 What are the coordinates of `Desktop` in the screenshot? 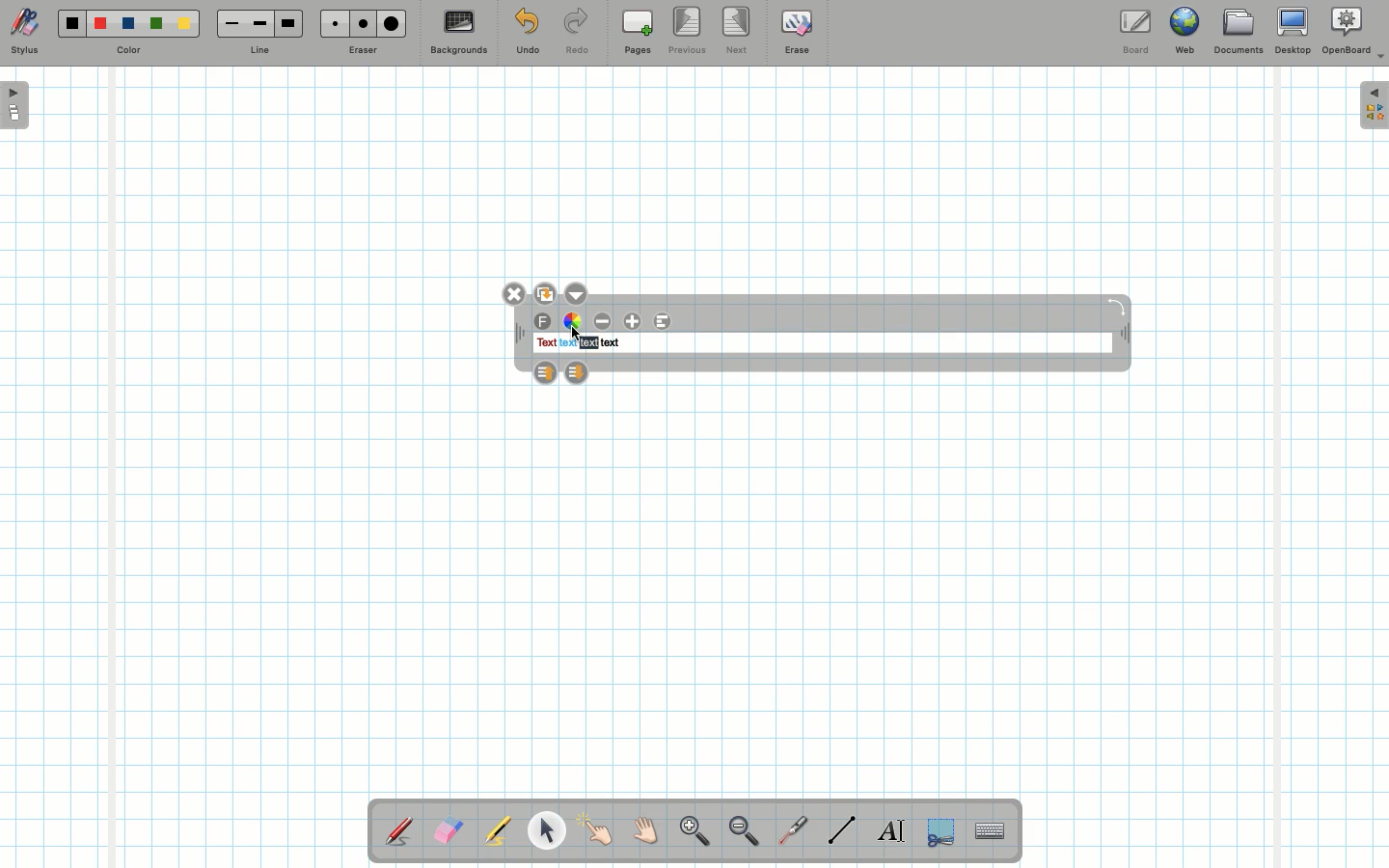 It's located at (1295, 31).